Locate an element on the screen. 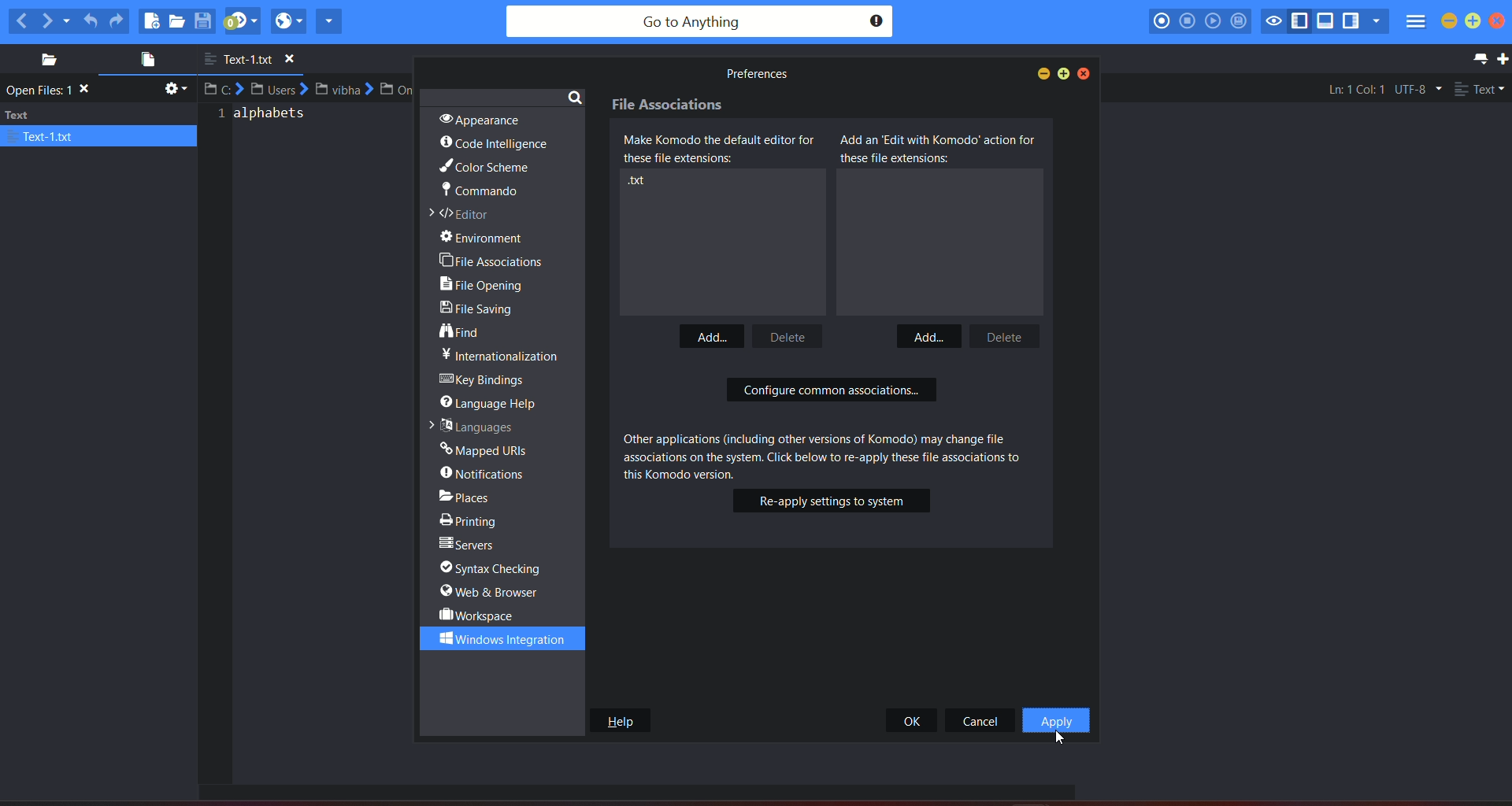 This screenshot has height=806, width=1512. record macro is located at coordinates (1162, 20).